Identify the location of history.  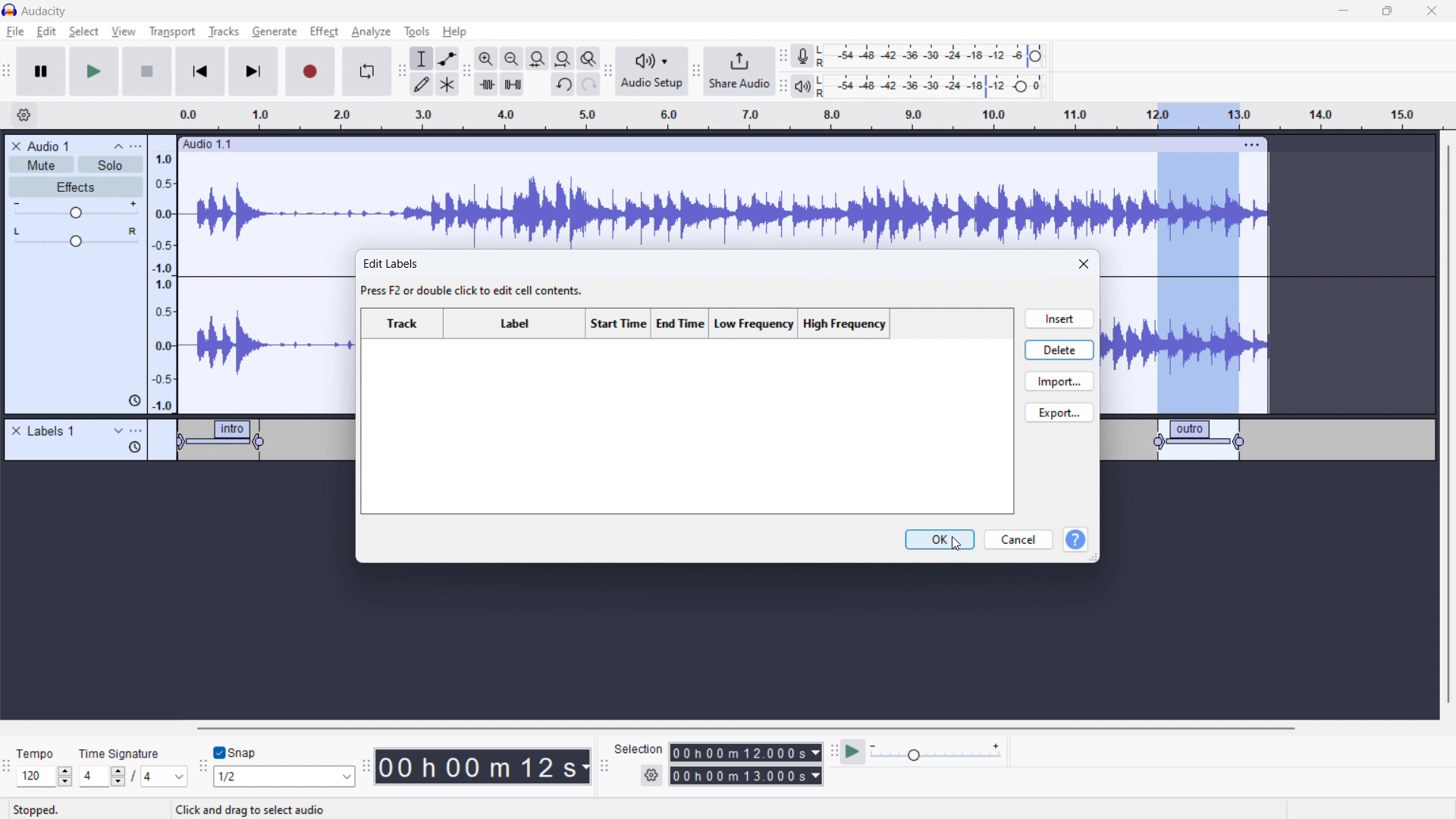
(135, 448).